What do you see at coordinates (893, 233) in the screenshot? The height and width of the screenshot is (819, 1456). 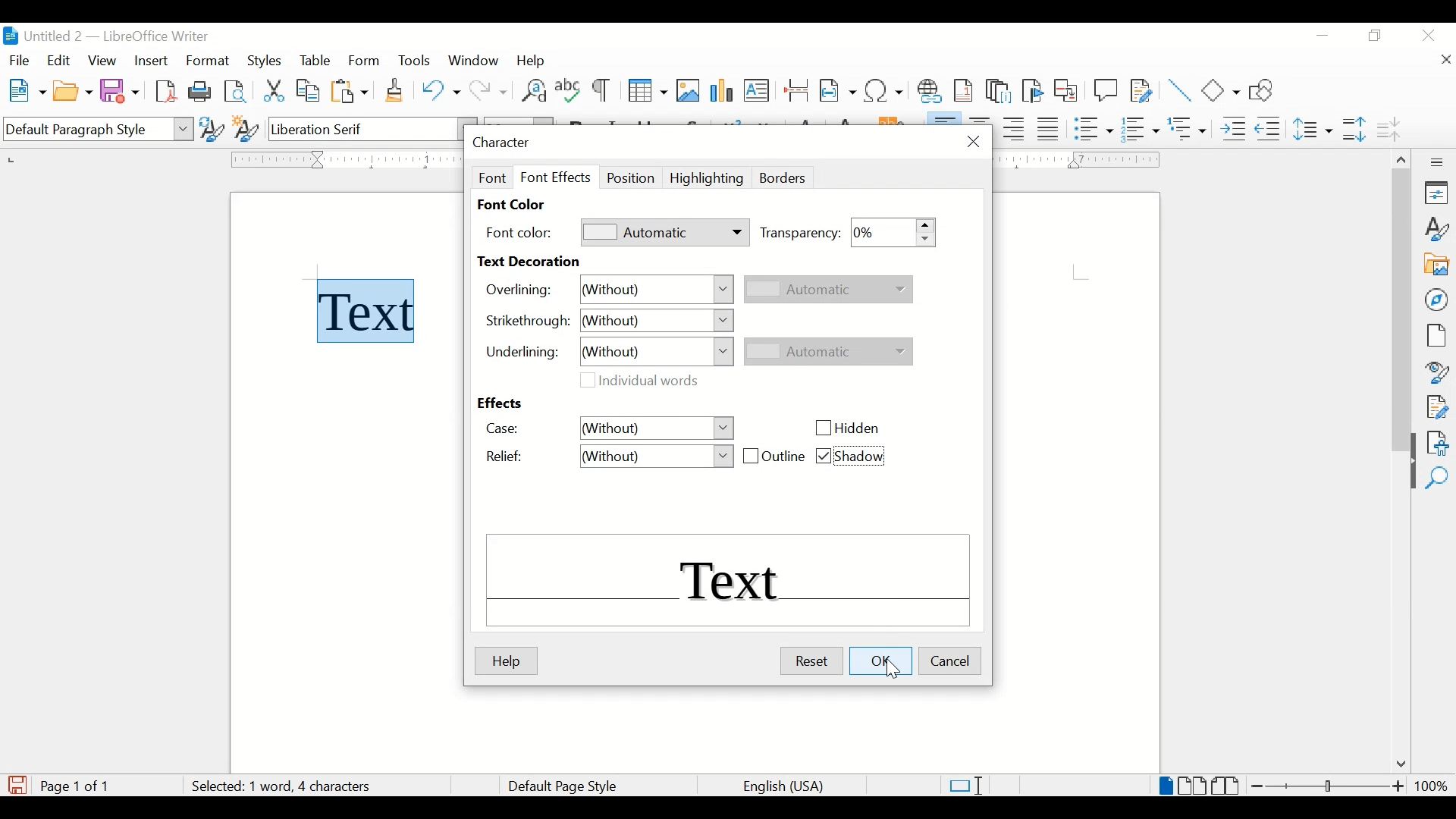 I see `transparency stepper button` at bounding box center [893, 233].